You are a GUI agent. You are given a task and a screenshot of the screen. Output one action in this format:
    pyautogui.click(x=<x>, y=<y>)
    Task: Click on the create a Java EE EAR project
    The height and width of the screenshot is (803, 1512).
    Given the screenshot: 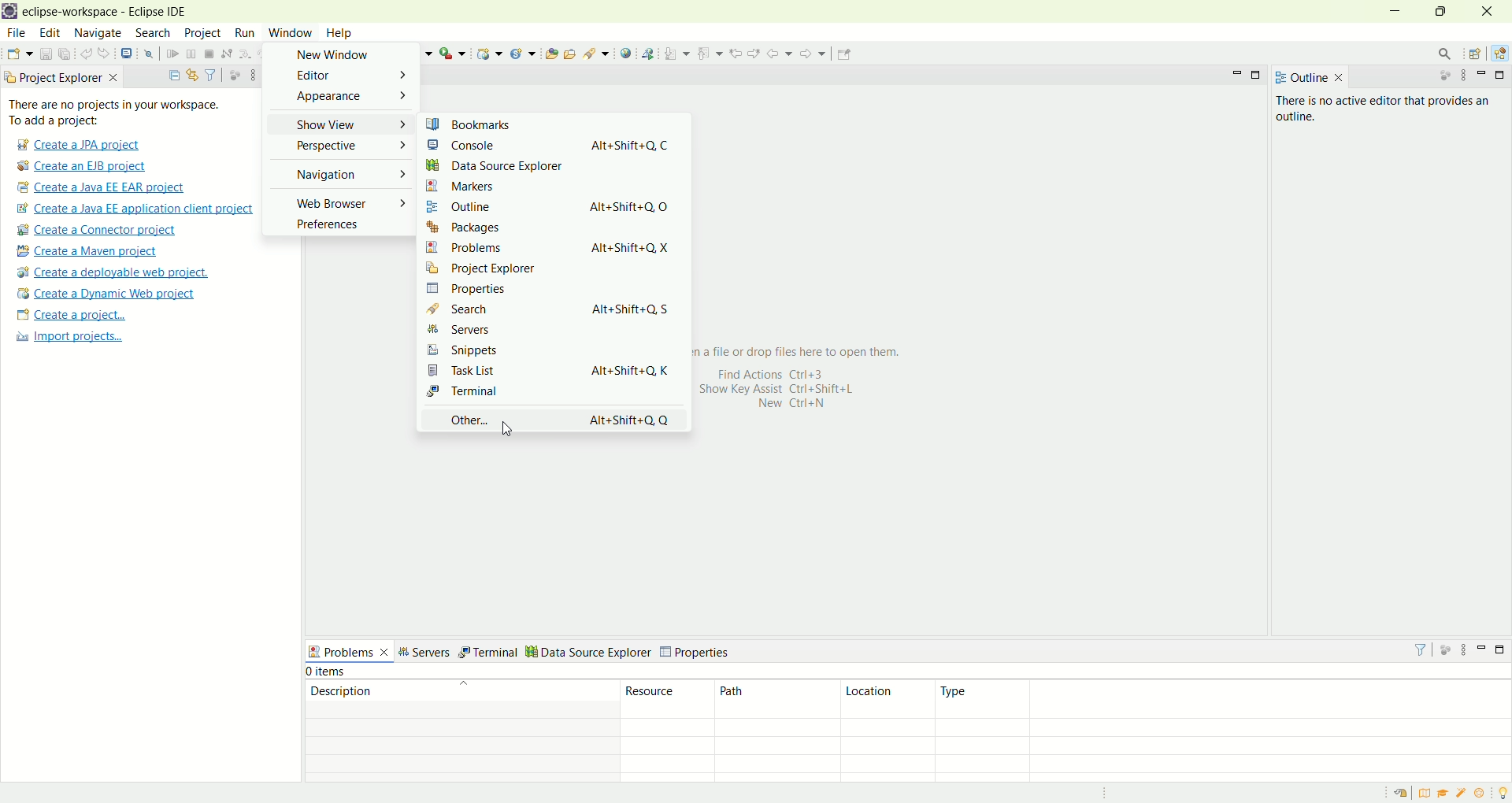 What is the action you would take?
    pyautogui.click(x=103, y=188)
    